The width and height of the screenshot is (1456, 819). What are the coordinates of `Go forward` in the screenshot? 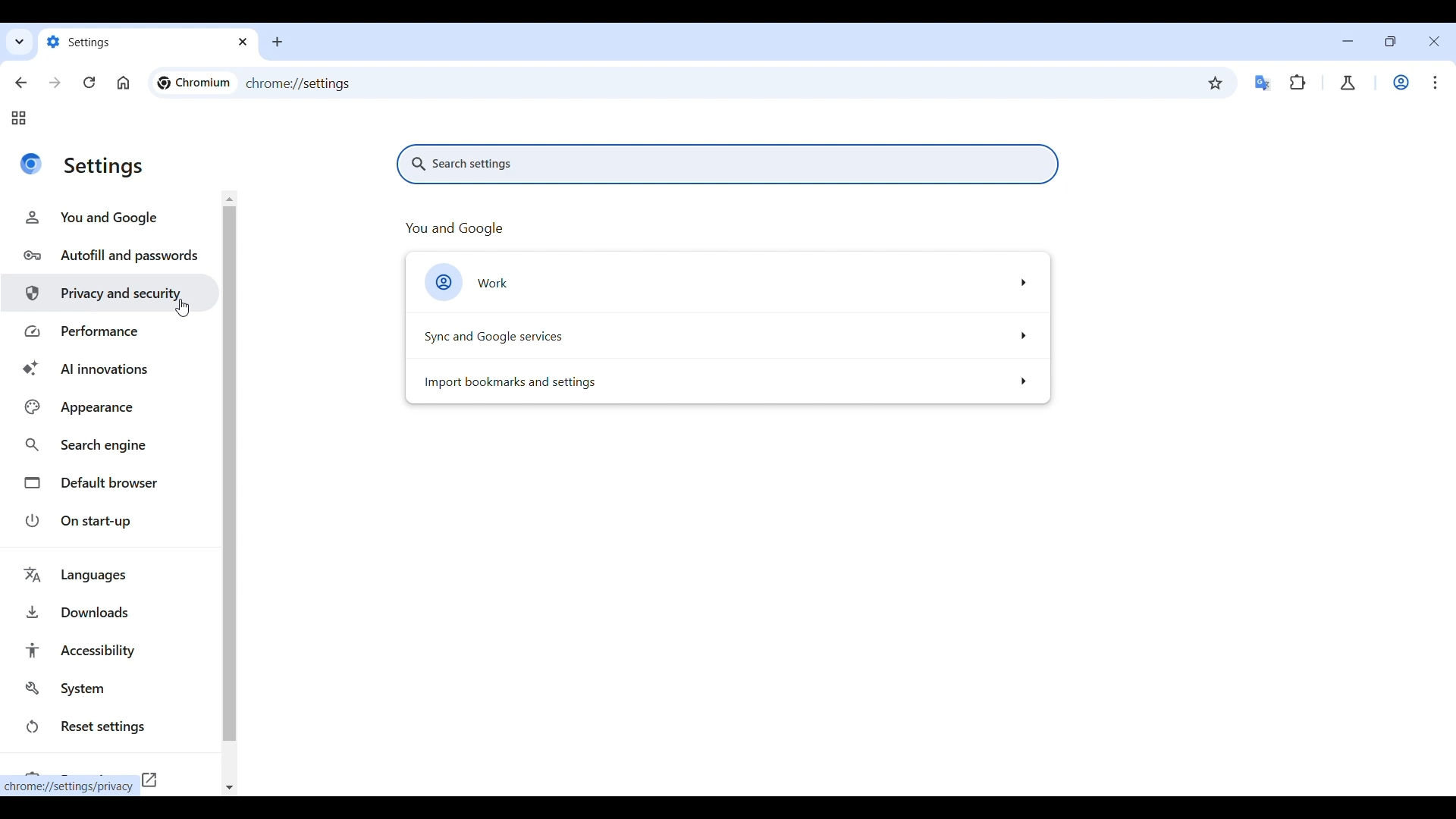 It's located at (55, 83).